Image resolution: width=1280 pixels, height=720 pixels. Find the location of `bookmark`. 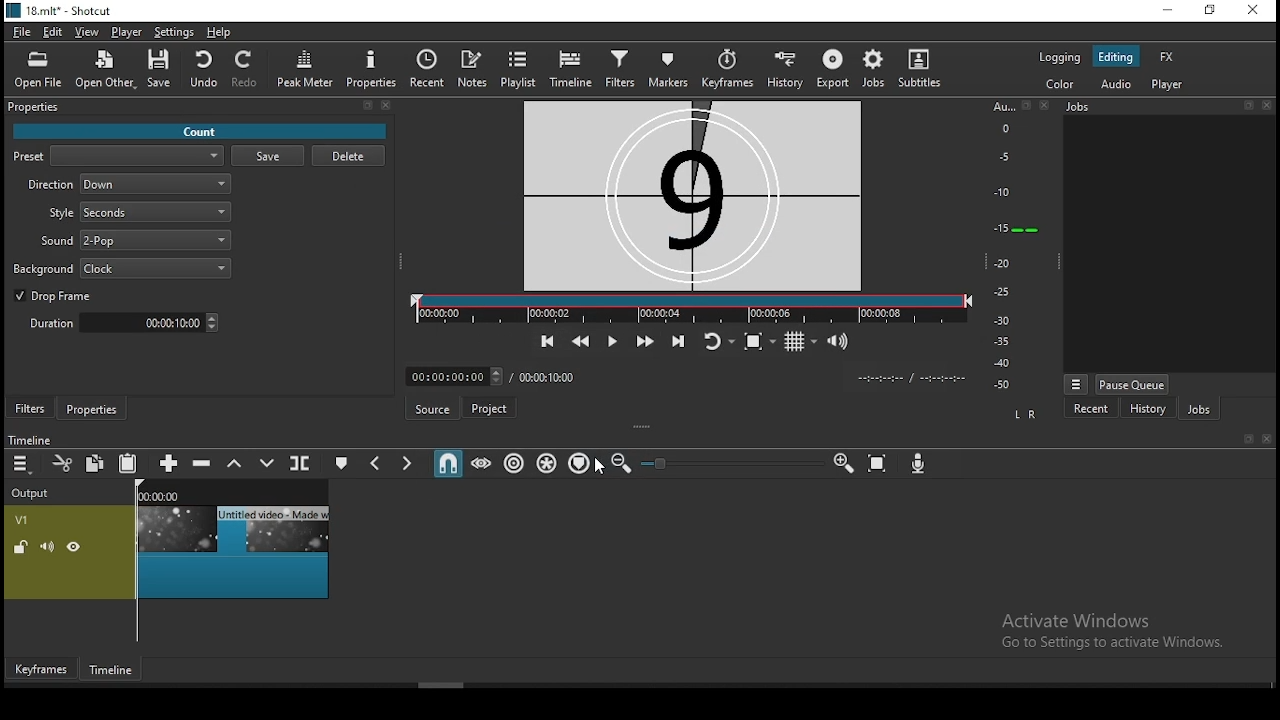

bookmark is located at coordinates (1247, 439).